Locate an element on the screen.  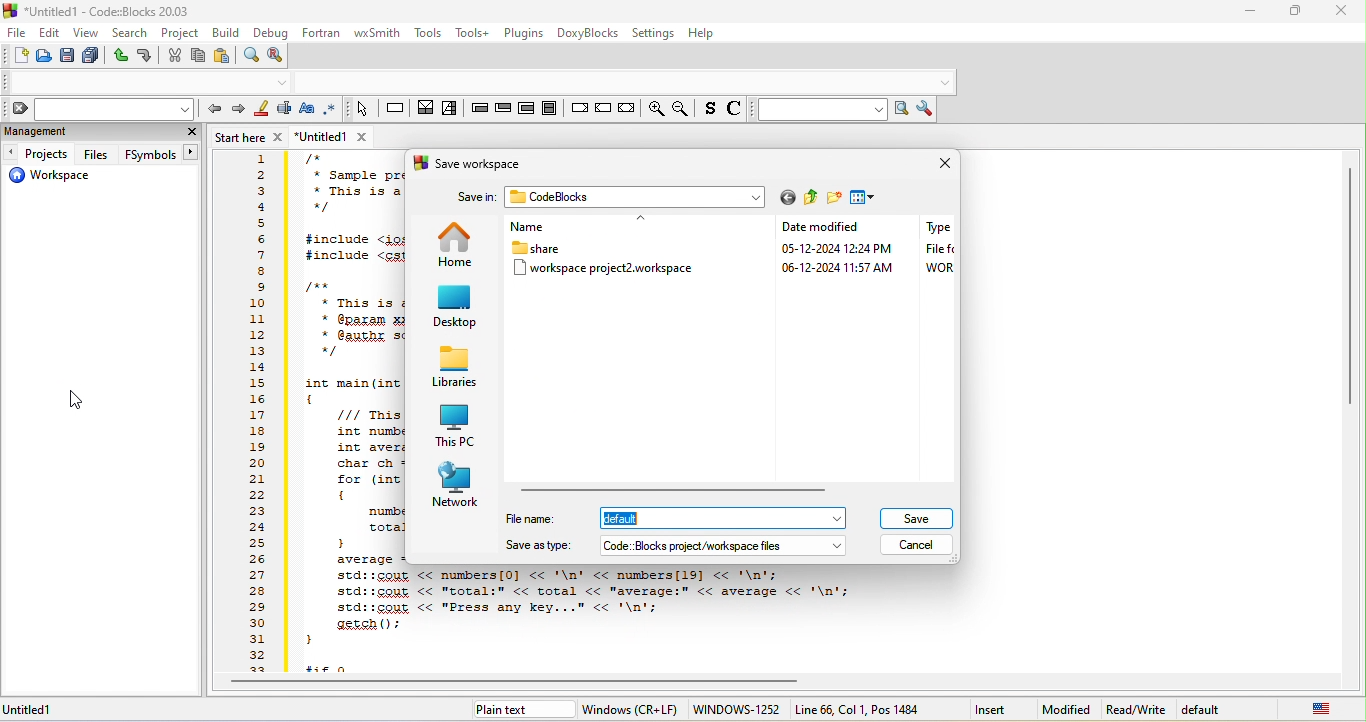
entry is located at coordinates (480, 111).